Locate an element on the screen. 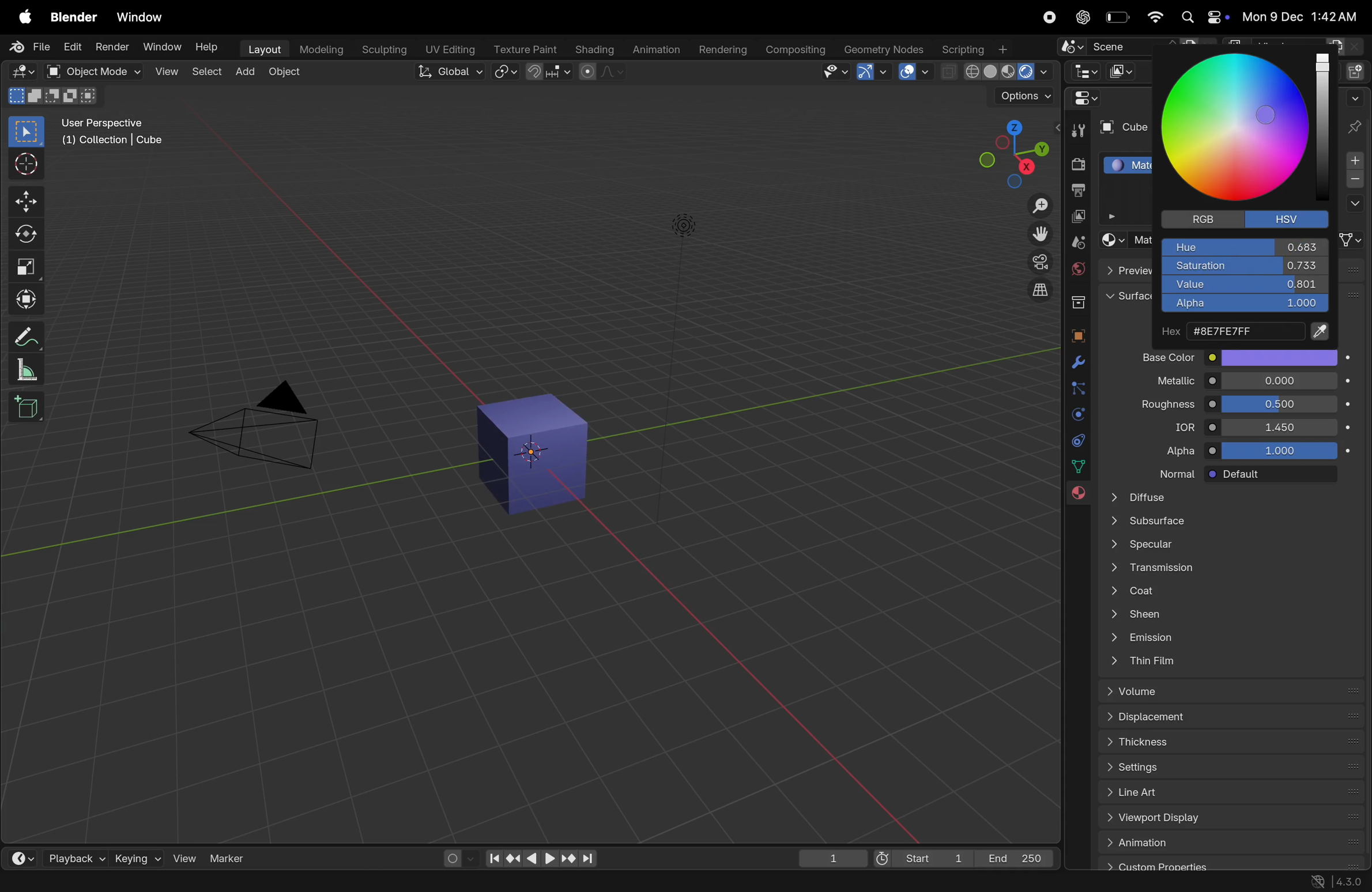 The width and height of the screenshot is (1372, 892). apple menu is located at coordinates (22, 16).